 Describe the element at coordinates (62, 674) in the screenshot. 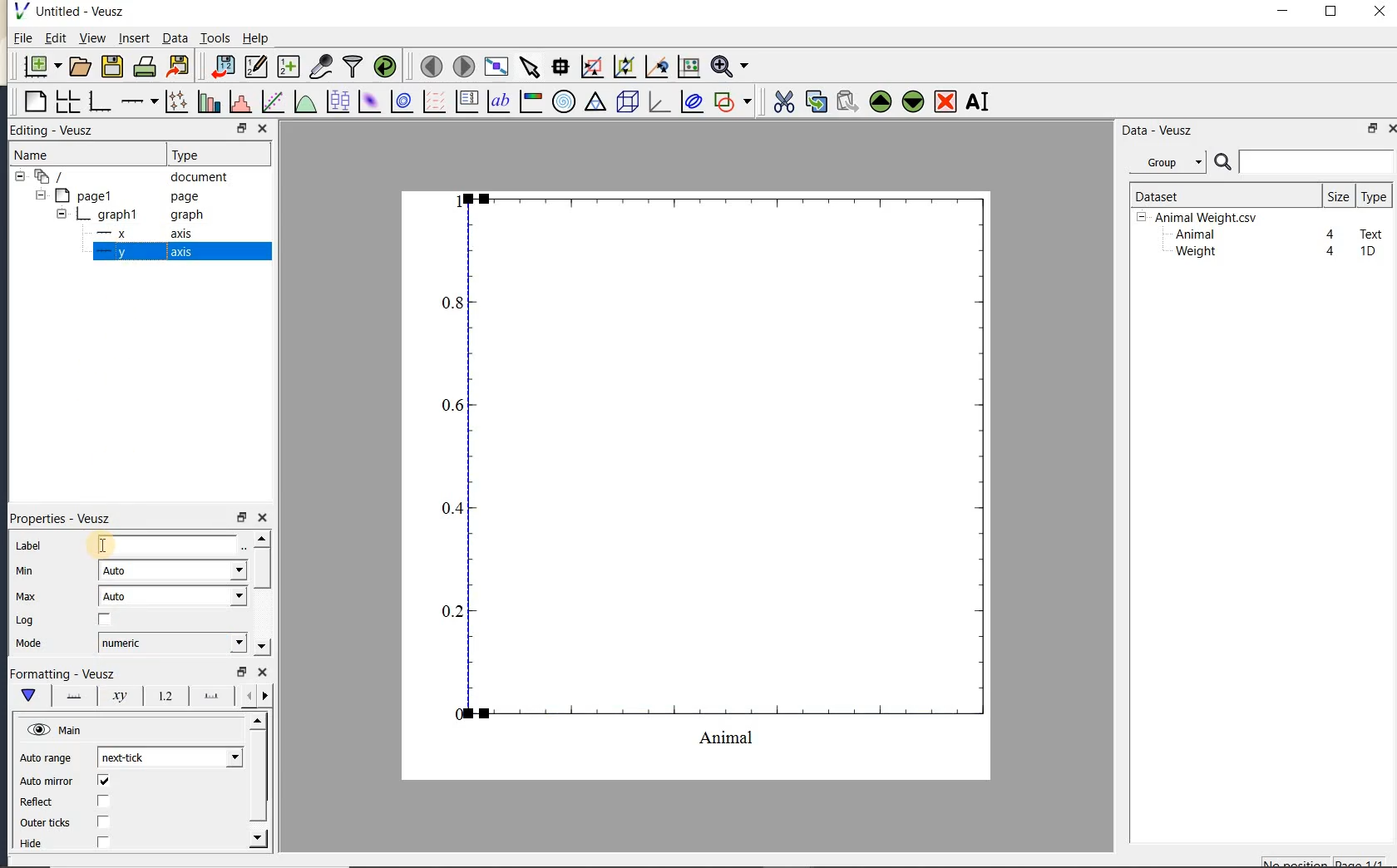

I see `Formatting - Veusz` at that location.